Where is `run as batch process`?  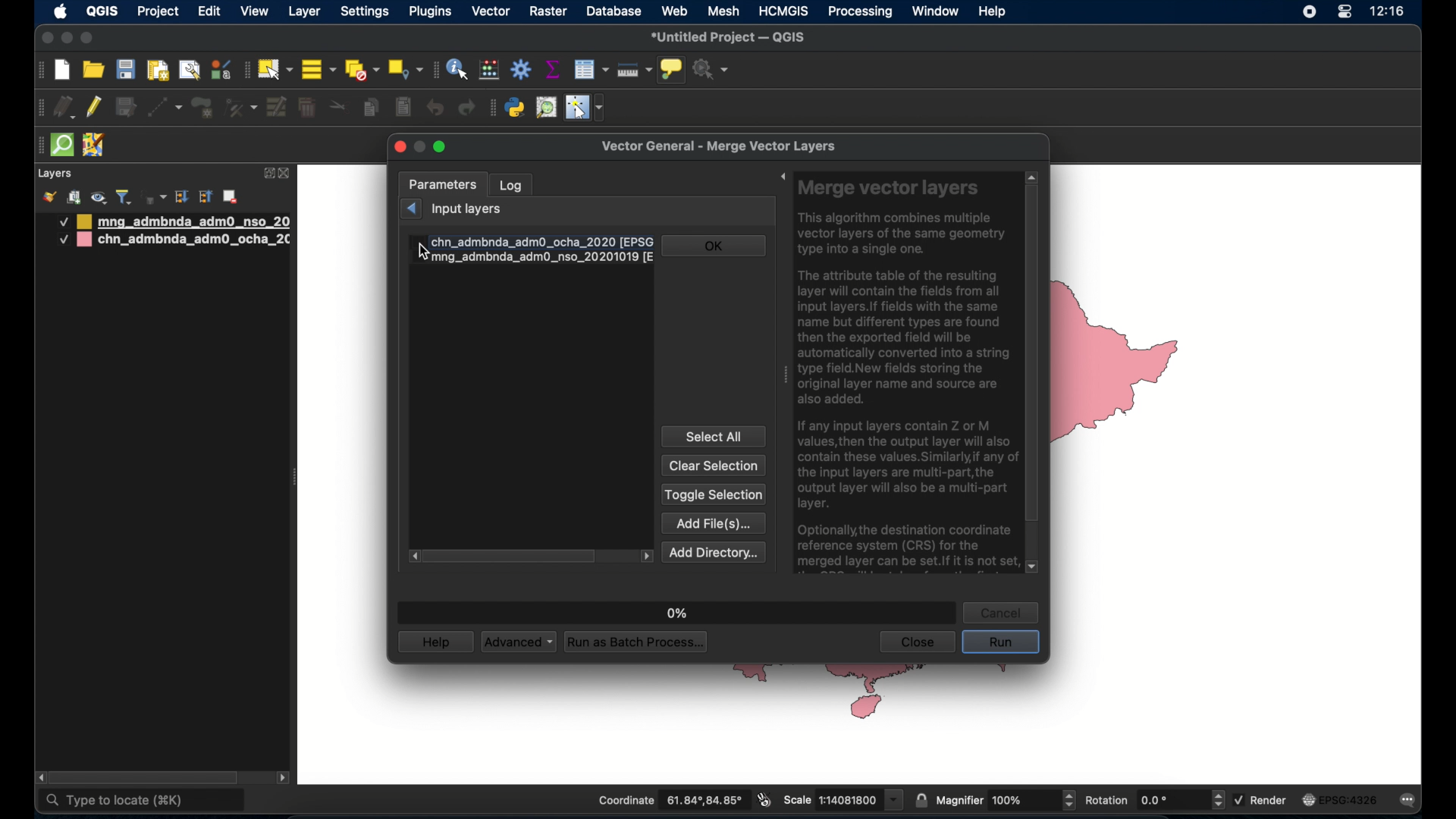
run as batch process is located at coordinates (637, 643).